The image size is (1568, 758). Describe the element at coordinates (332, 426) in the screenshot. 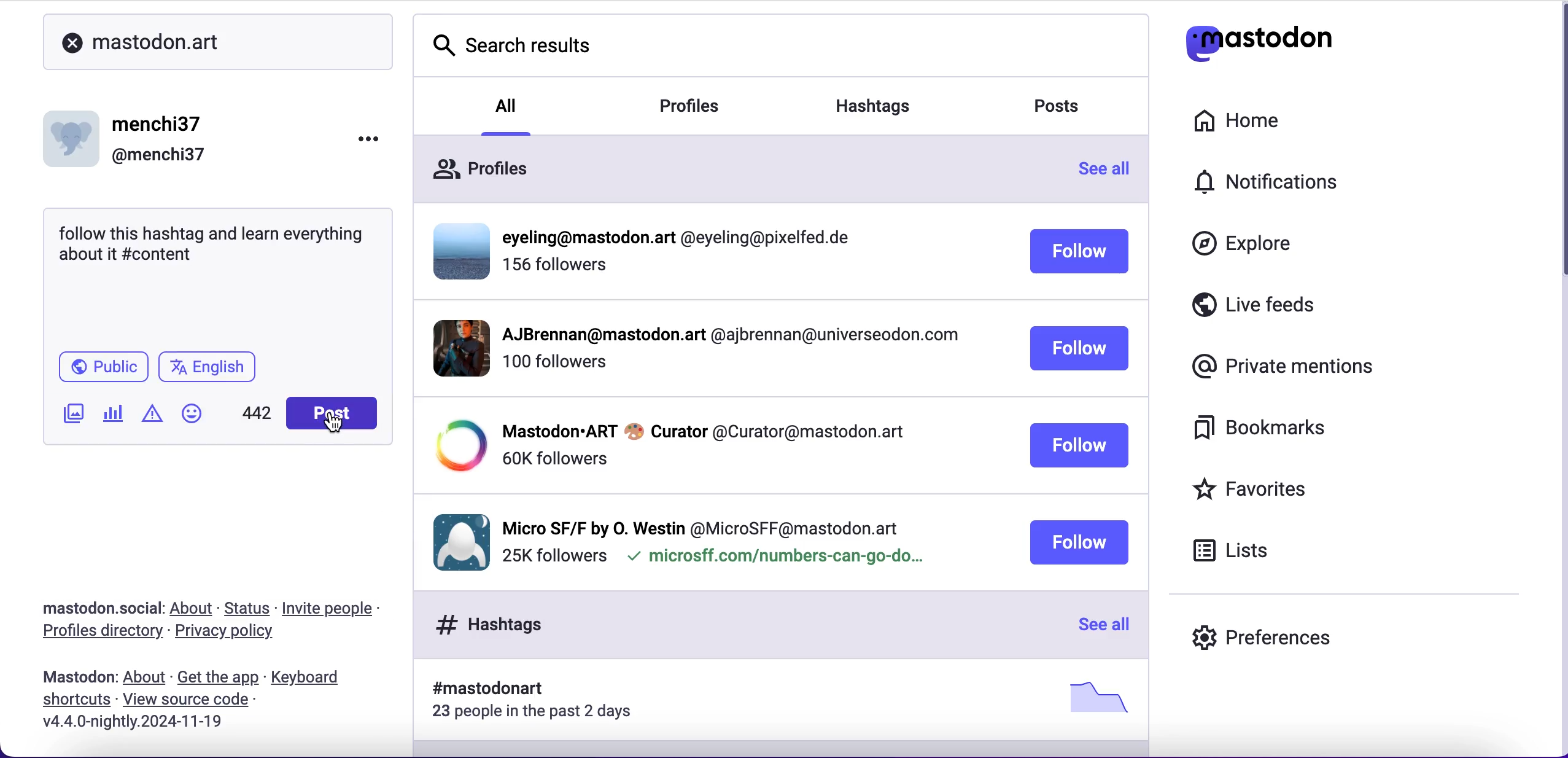

I see `cursor` at that location.